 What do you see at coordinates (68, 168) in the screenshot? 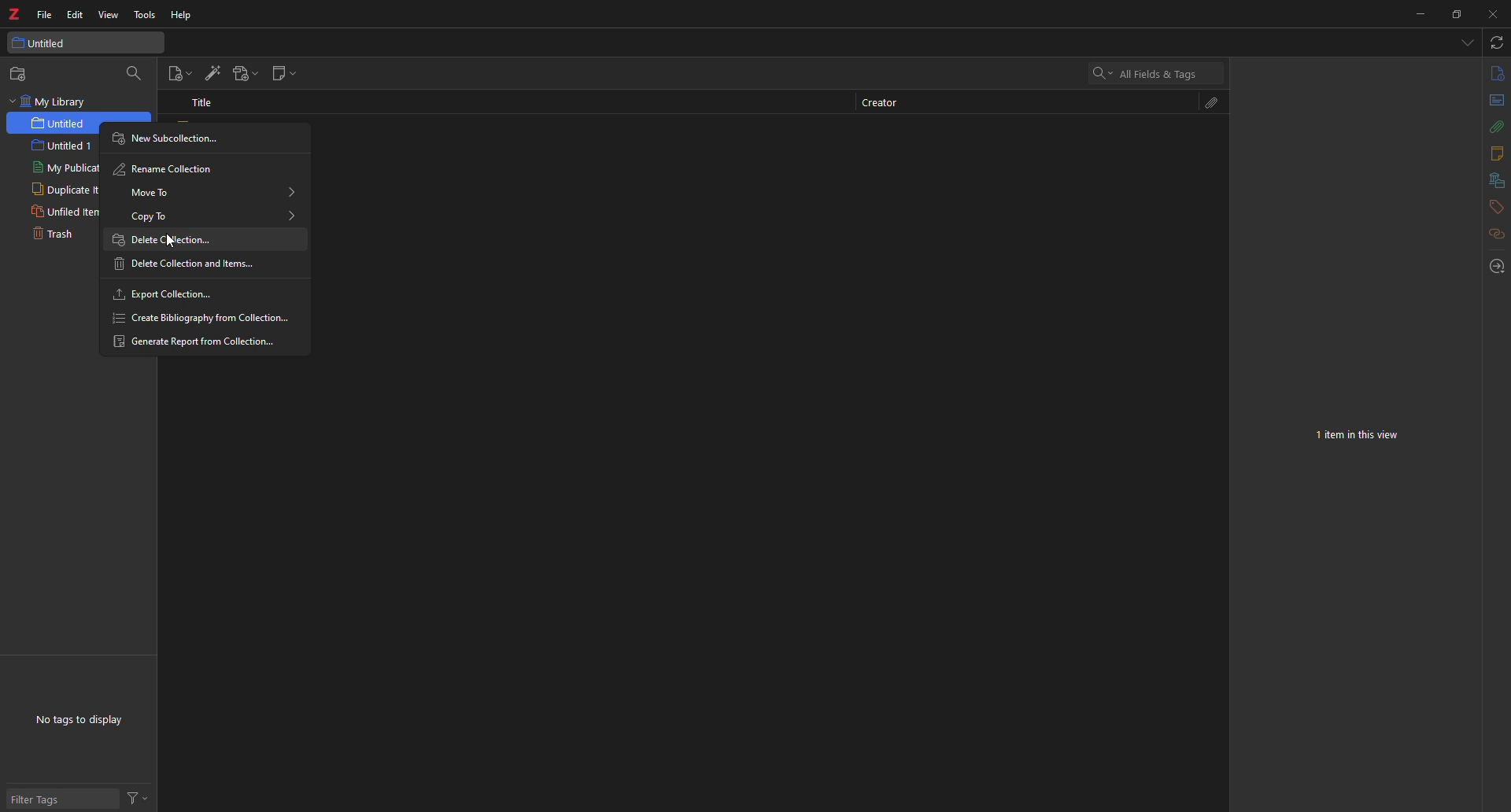
I see `my publications` at bounding box center [68, 168].